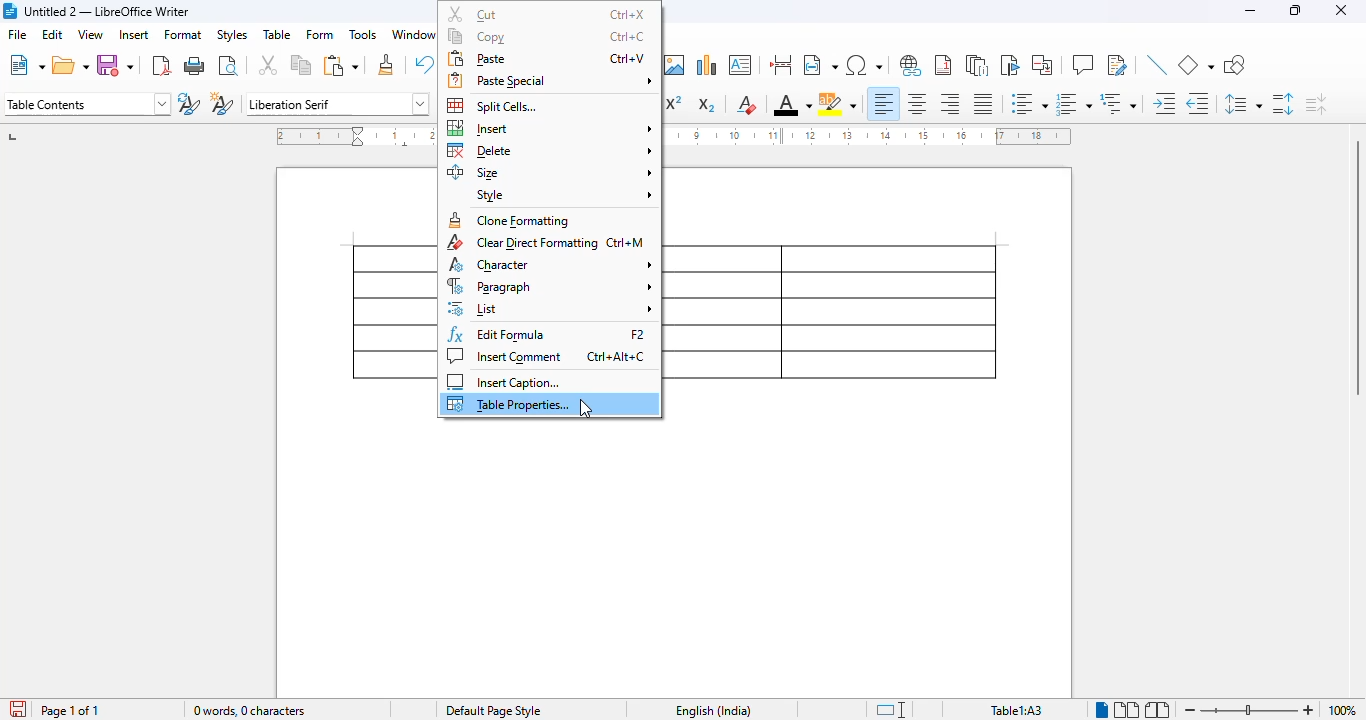 This screenshot has width=1366, height=720. What do you see at coordinates (70, 711) in the screenshot?
I see `page 1 of 1` at bounding box center [70, 711].